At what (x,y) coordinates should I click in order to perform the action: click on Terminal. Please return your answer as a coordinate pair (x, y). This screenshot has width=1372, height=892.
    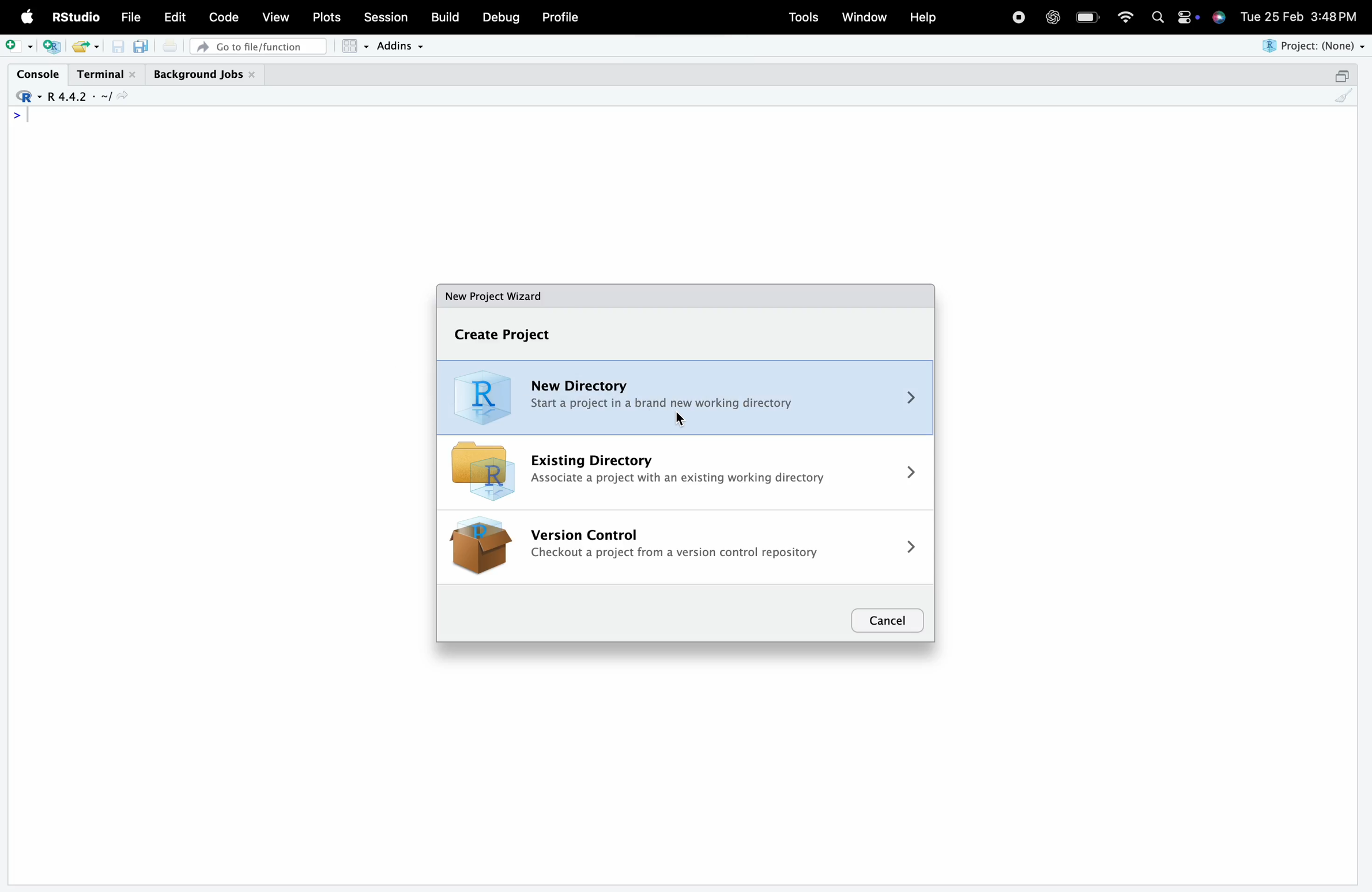
    Looking at the image, I should click on (107, 75).